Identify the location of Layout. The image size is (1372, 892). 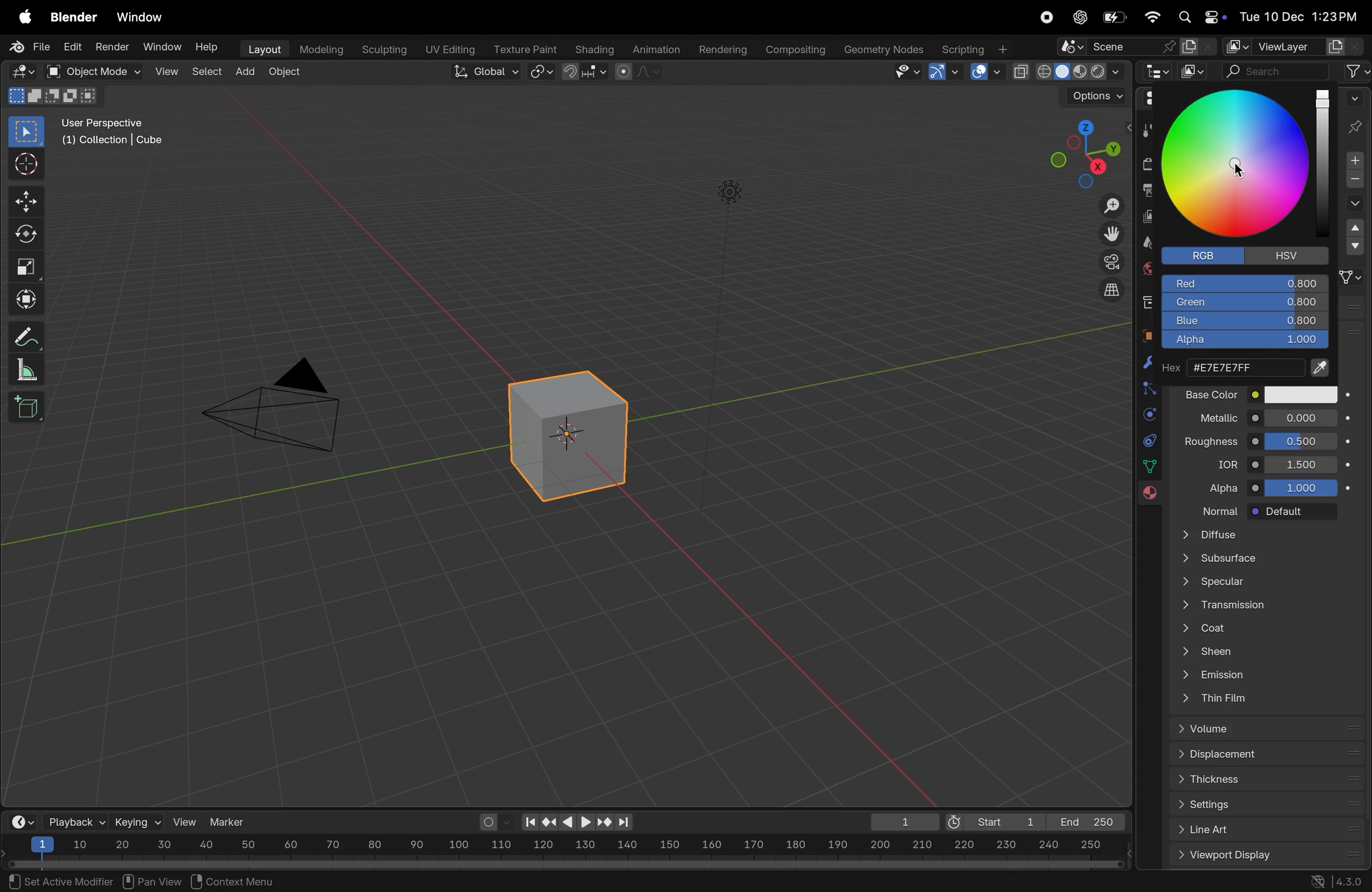
(262, 48).